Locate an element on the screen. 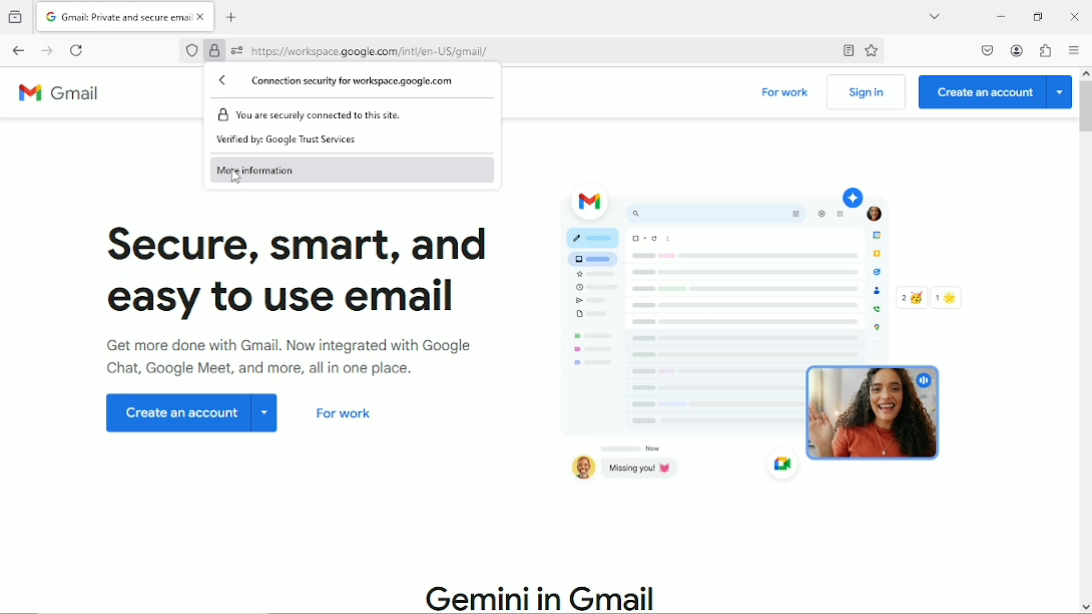 This screenshot has height=614, width=1092. You have granted additional permissions to this website is located at coordinates (236, 49).